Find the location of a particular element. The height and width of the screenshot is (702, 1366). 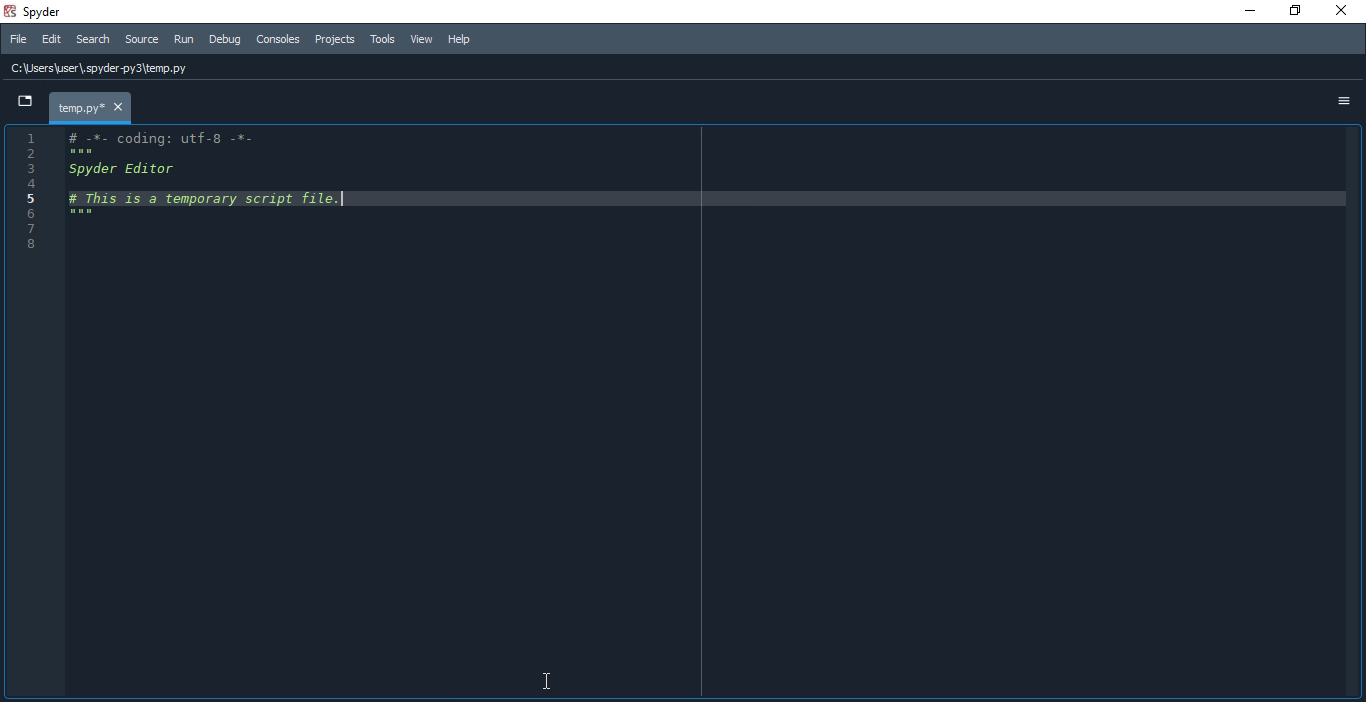

dropdown is located at coordinates (24, 102).